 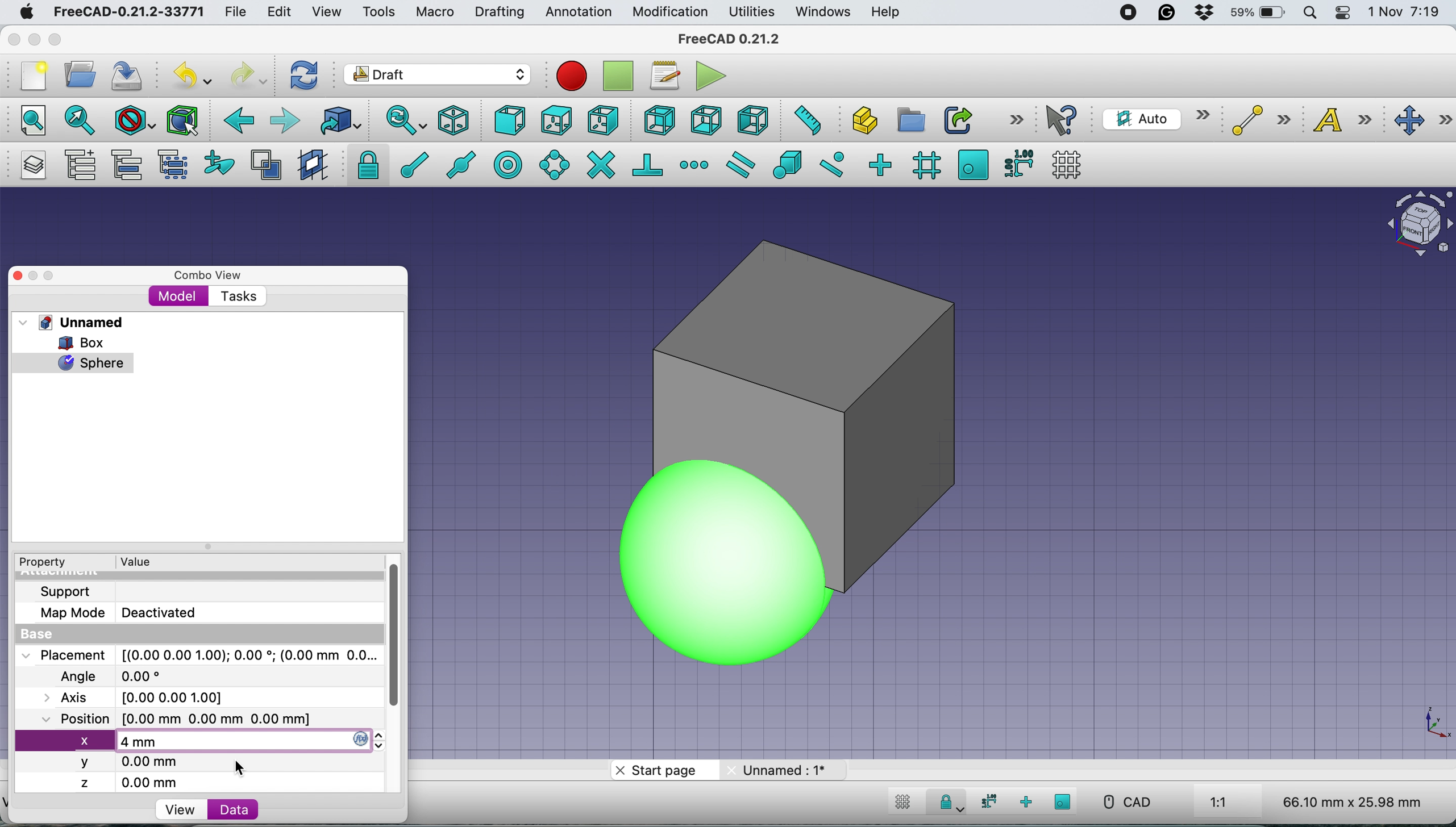 I want to click on box, so click(x=908, y=420).